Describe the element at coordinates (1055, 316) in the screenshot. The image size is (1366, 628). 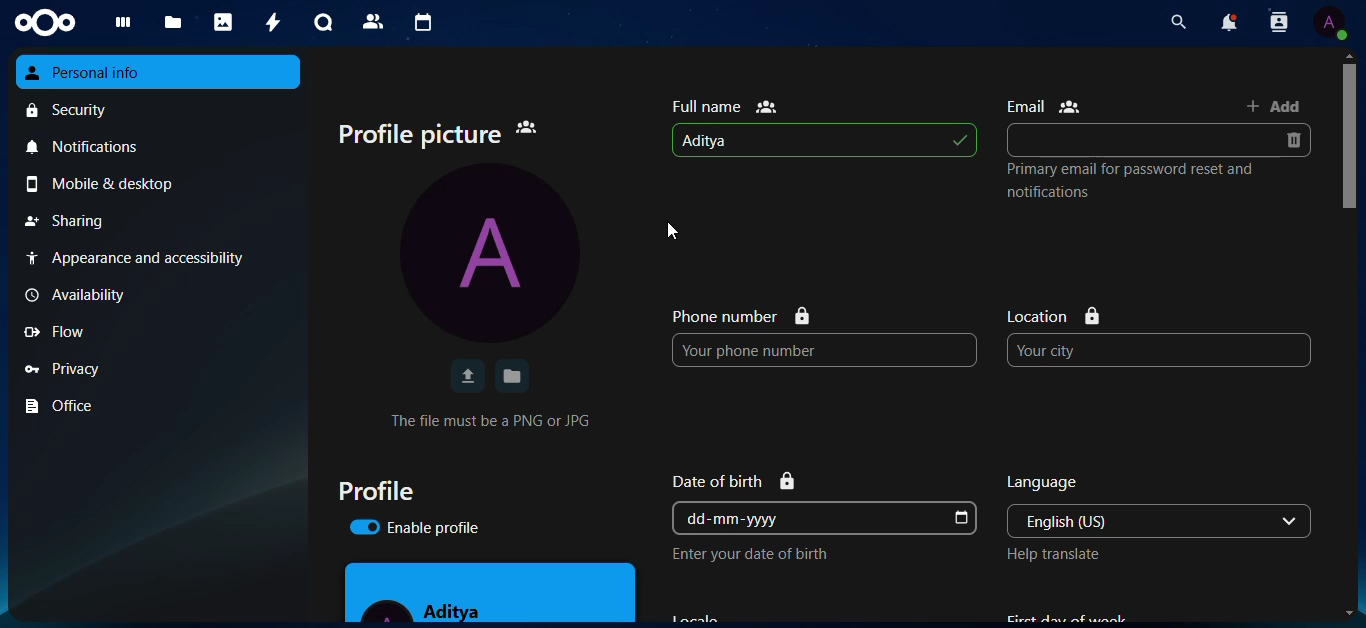
I see `location` at that location.